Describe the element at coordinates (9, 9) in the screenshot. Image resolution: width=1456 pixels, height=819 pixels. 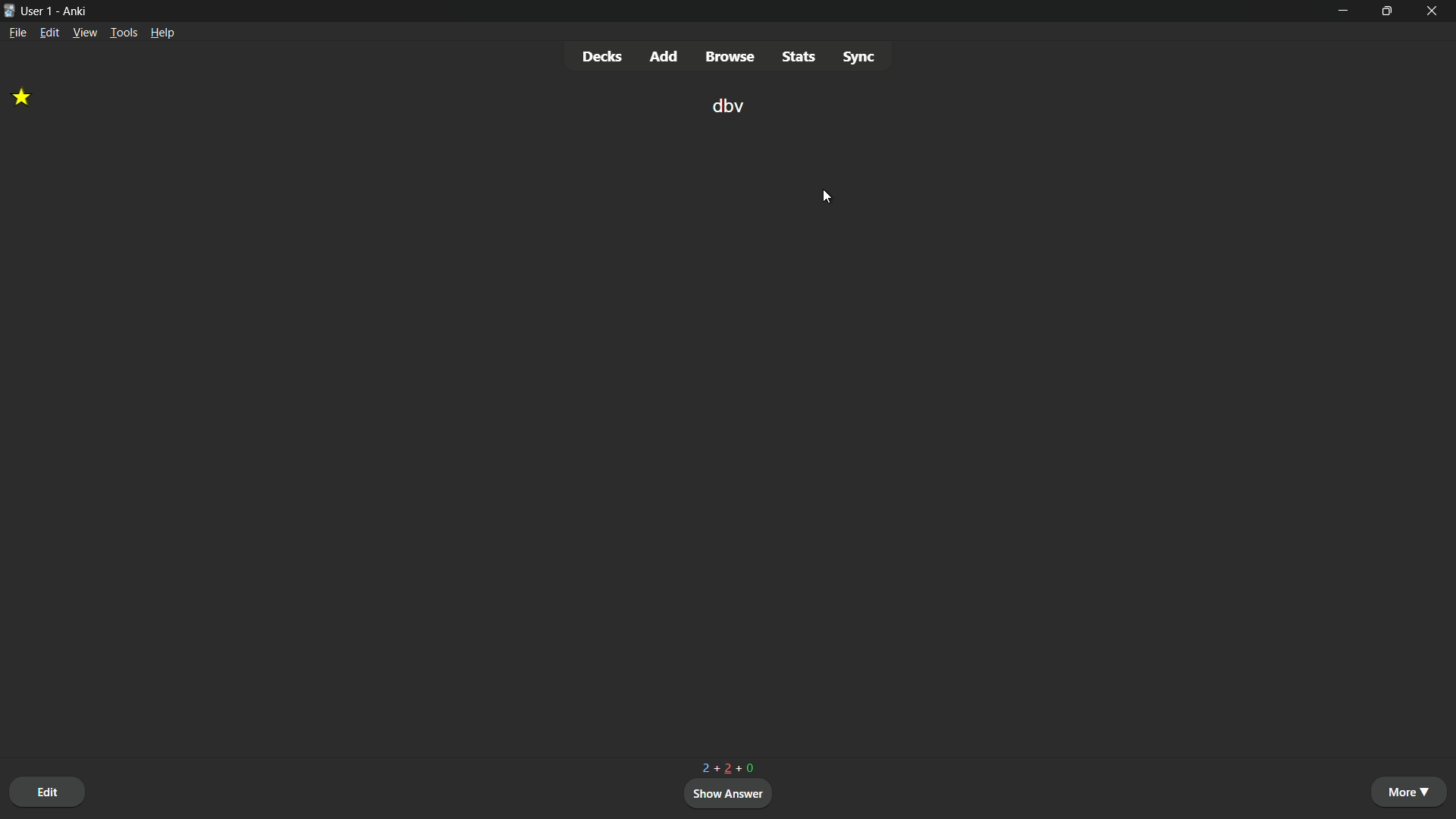
I see `app icon` at that location.